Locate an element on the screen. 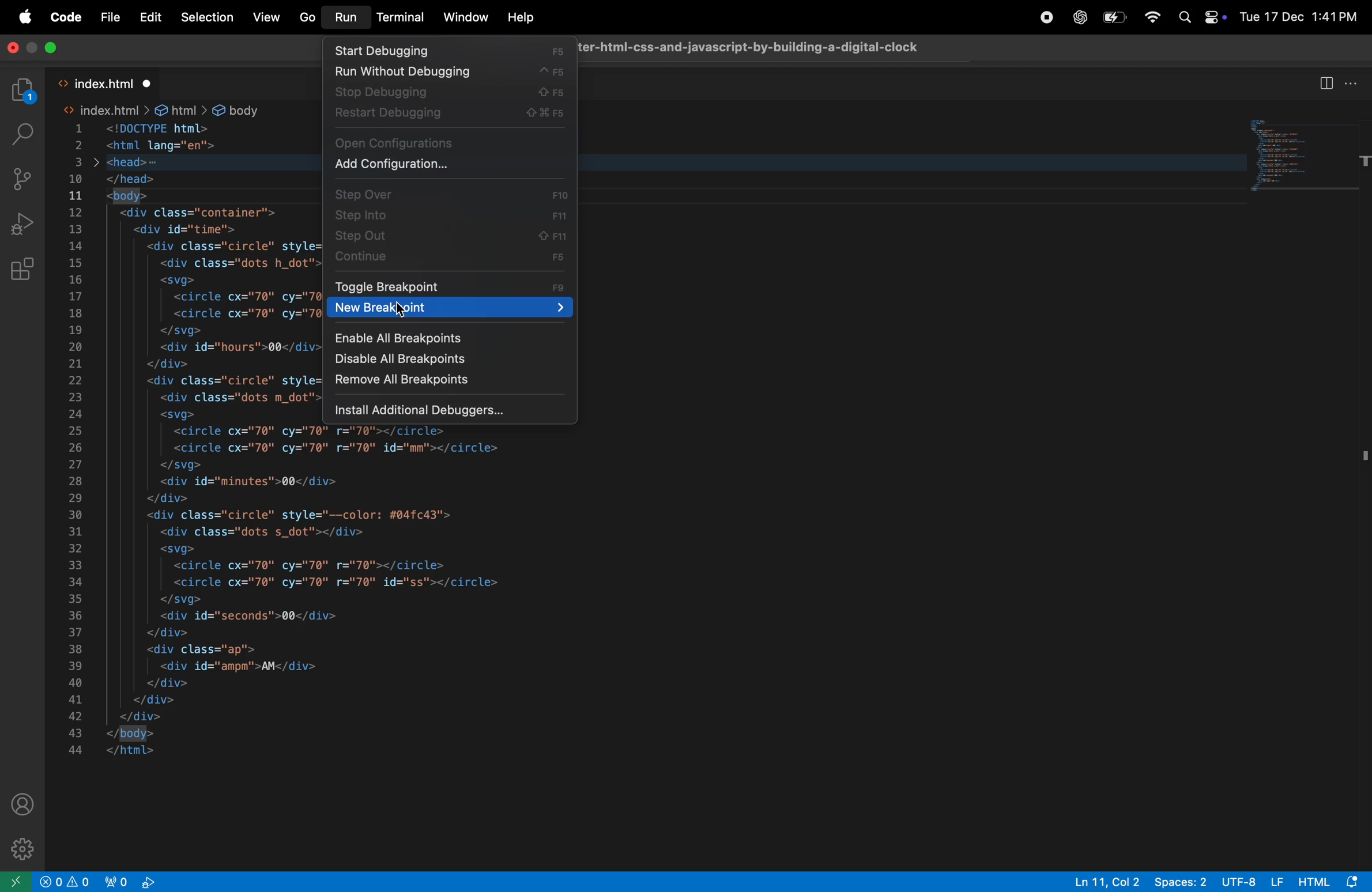  install additional debuggers is located at coordinates (453, 409).